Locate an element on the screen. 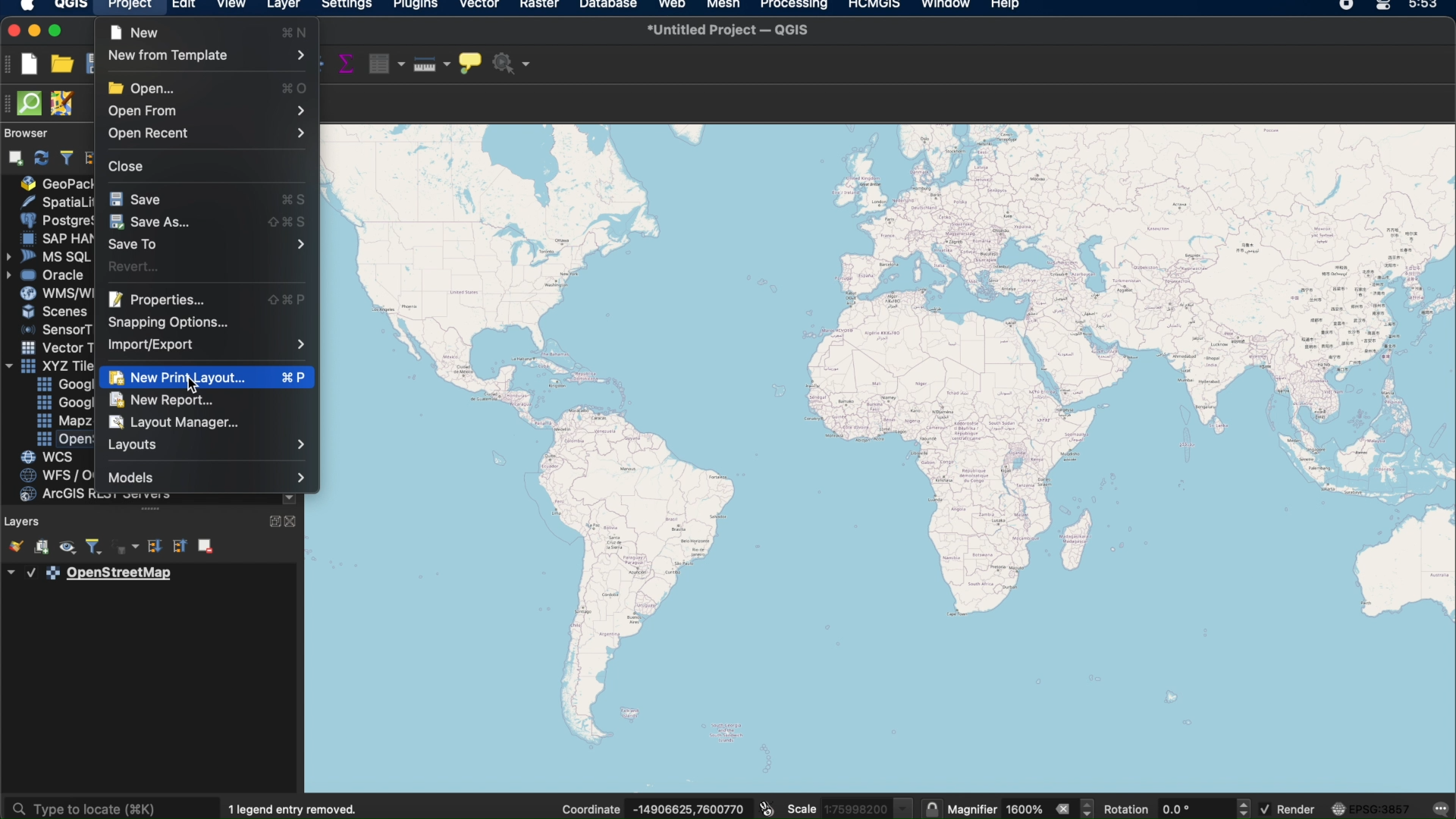 The height and width of the screenshot is (819, 1456). 1 legend entry removed is located at coordinates (293, 809).